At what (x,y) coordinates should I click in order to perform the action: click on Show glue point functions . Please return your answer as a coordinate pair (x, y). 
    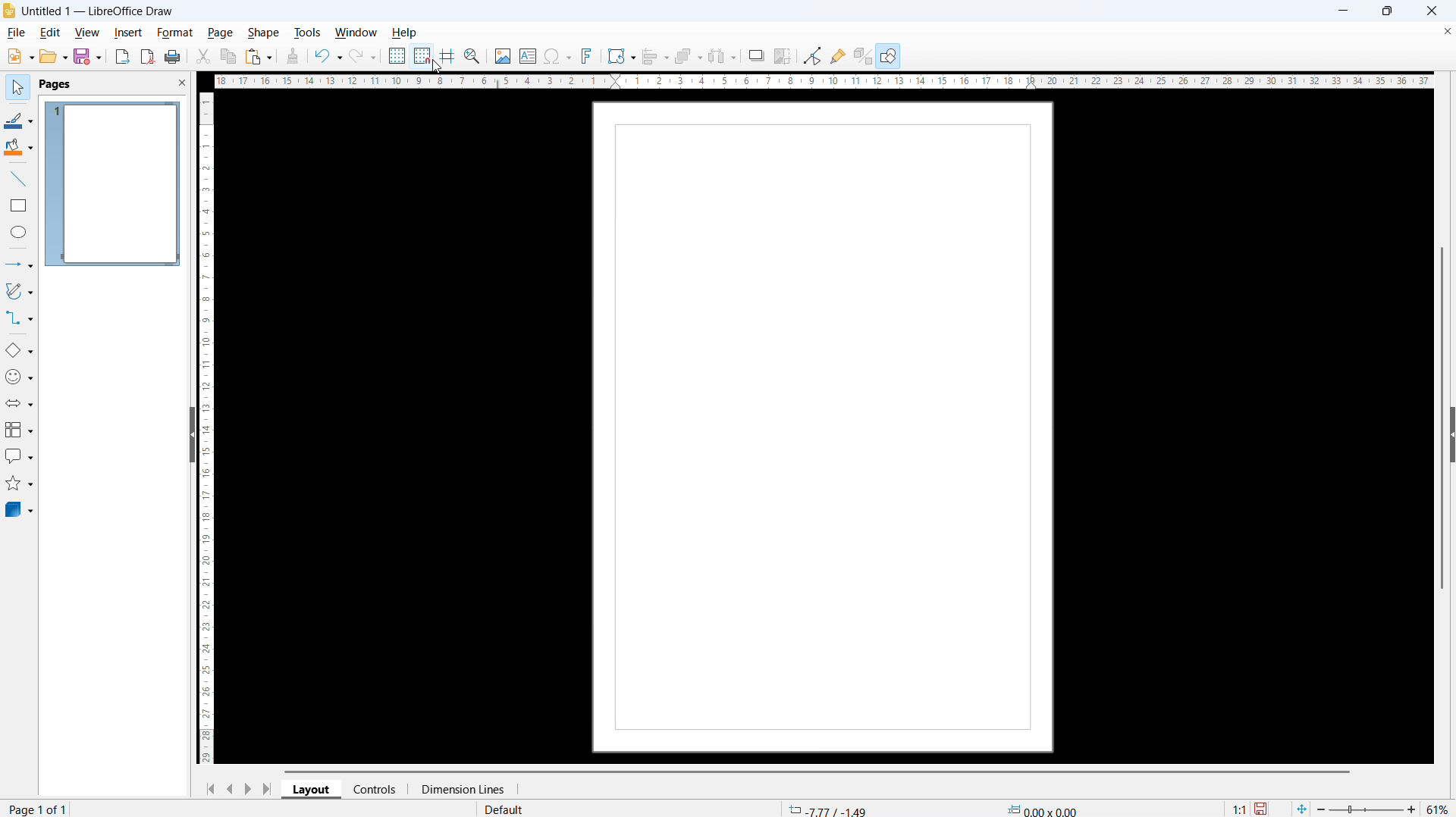
    Looking at the image, I should click on (838, 54).